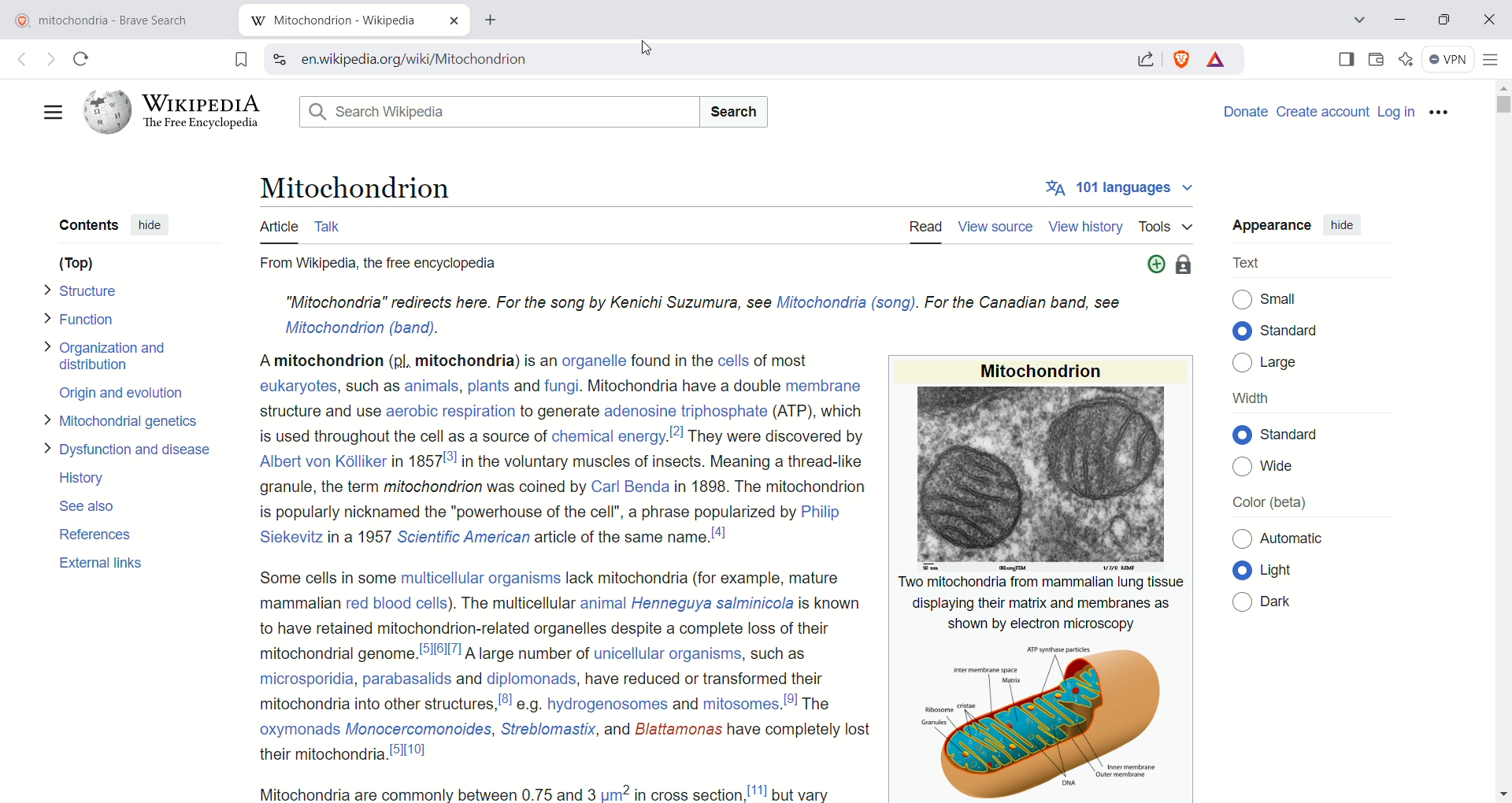  I want to click on View Source, so click(999, 228).